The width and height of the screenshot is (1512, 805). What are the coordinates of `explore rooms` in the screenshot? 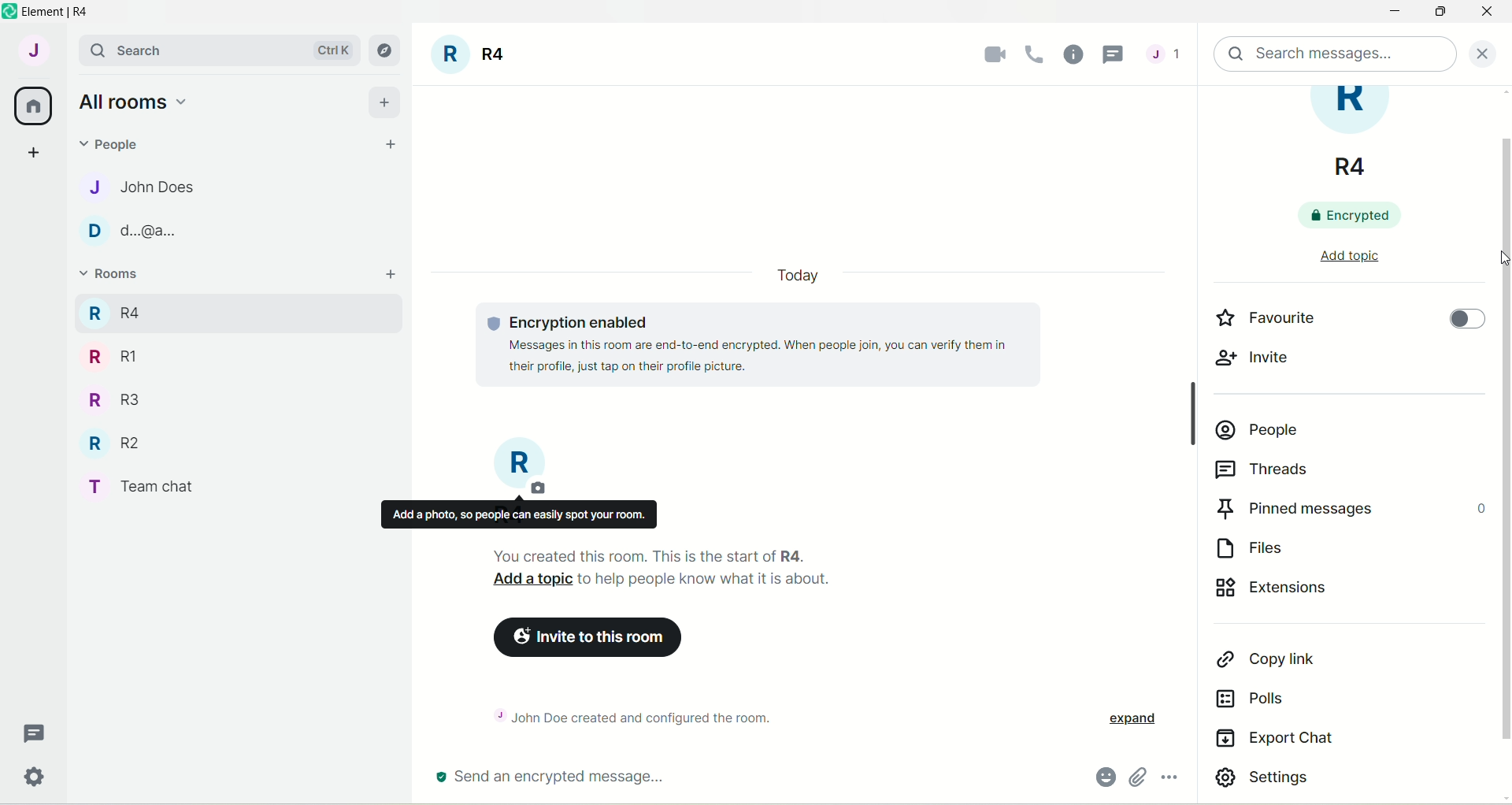 It's located at (386, 50).